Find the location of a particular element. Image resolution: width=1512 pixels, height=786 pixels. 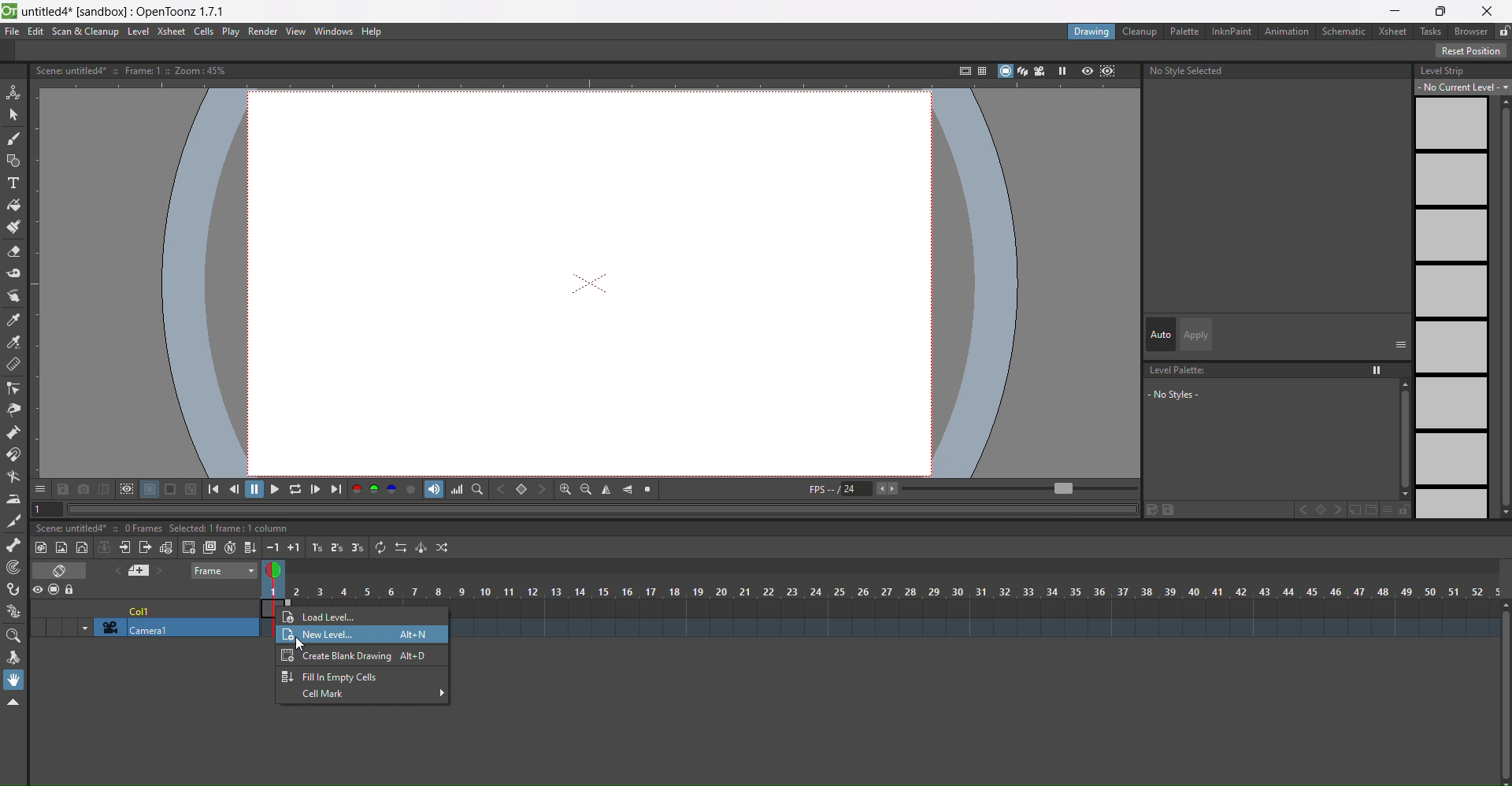

level strips is located at coordinates (1451, 308).